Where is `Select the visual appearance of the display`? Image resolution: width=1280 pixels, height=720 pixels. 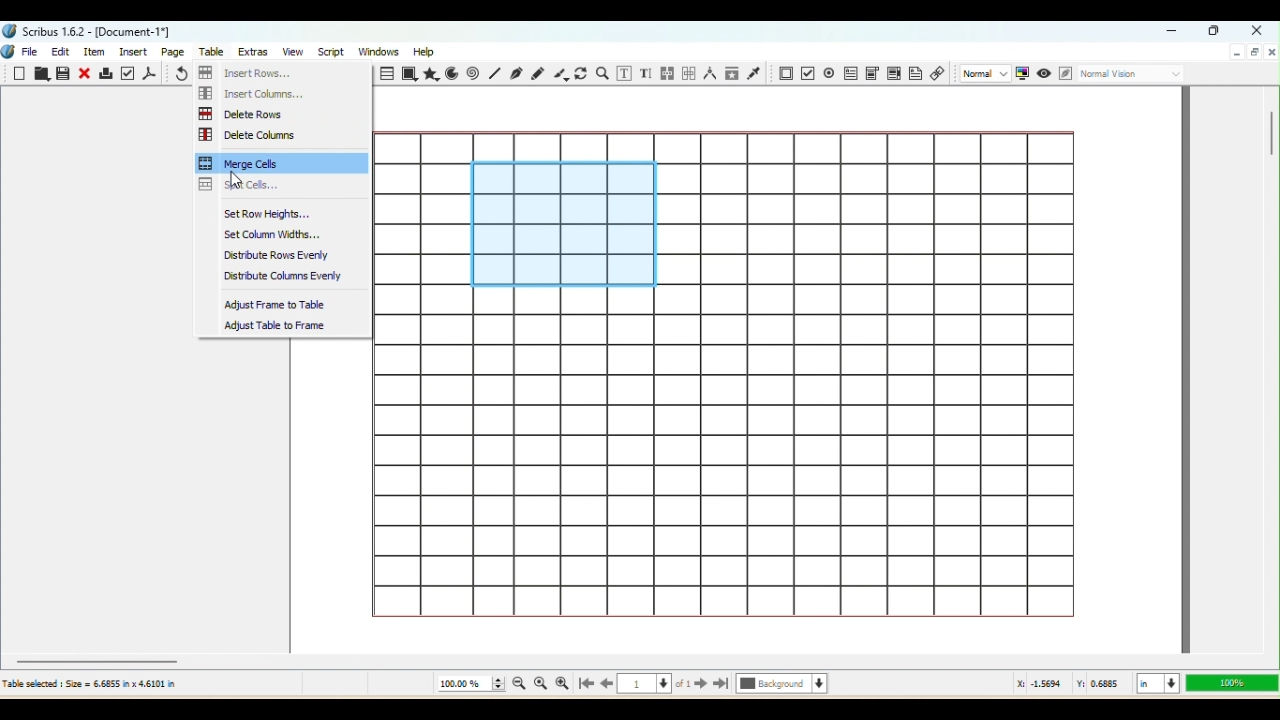
Select the visual appearance of the display is located at coordinates (1133, 75).